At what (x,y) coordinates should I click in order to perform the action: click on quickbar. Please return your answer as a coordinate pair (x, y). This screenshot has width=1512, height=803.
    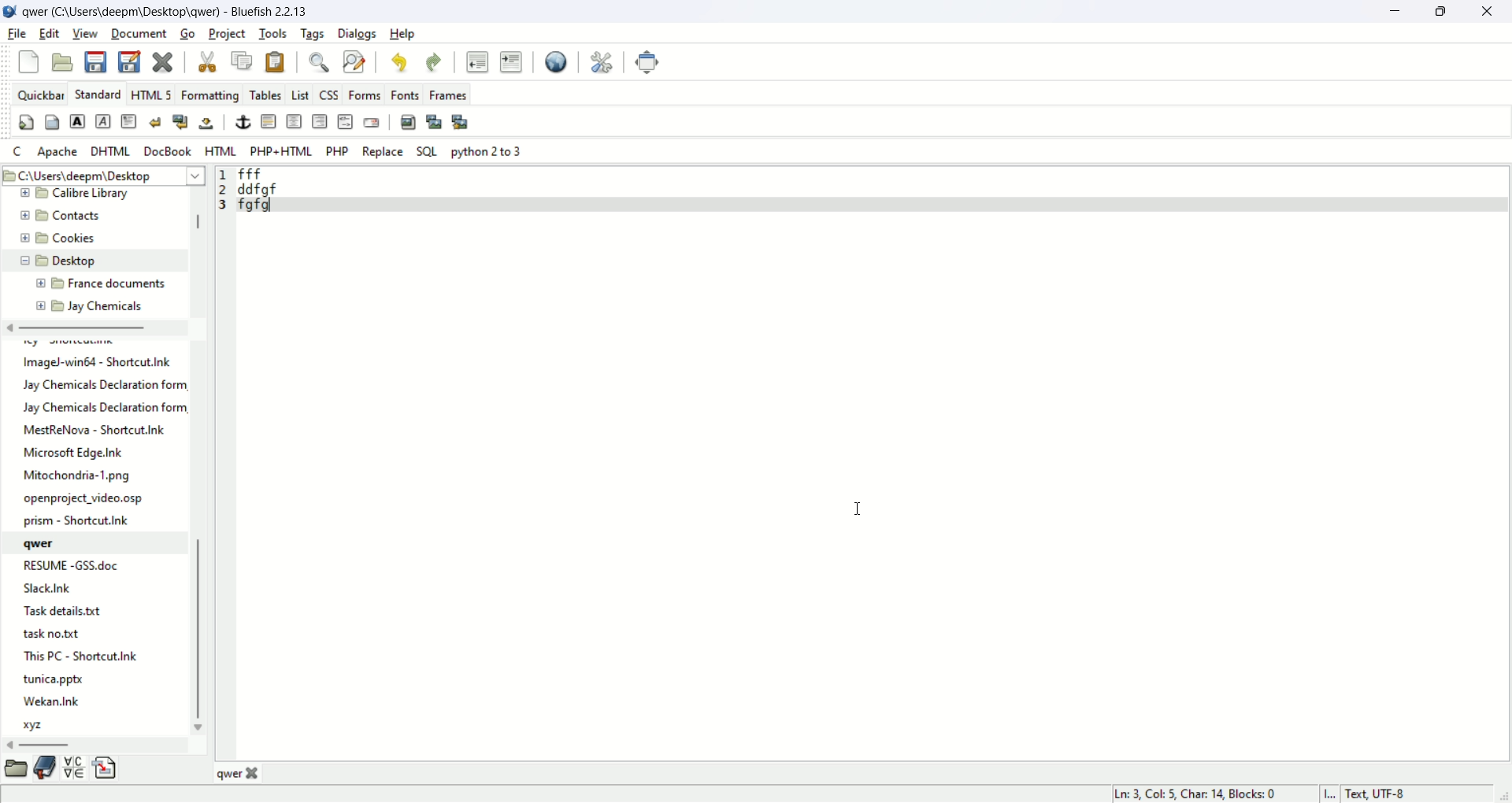
    Looking at the image, I should click on (41, 94).